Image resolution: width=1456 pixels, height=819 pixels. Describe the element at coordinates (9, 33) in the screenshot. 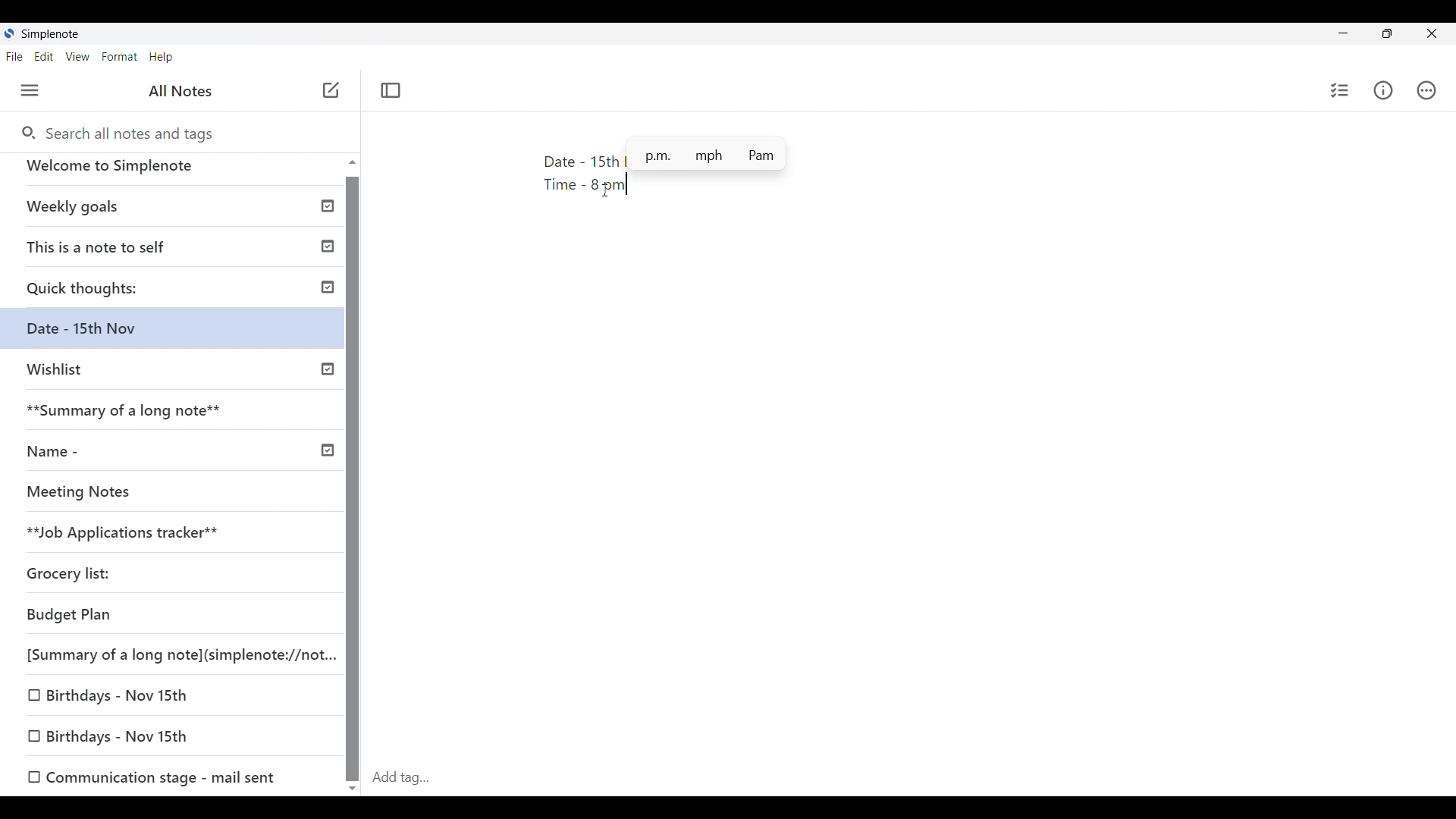

I see `Software logo` at that location.